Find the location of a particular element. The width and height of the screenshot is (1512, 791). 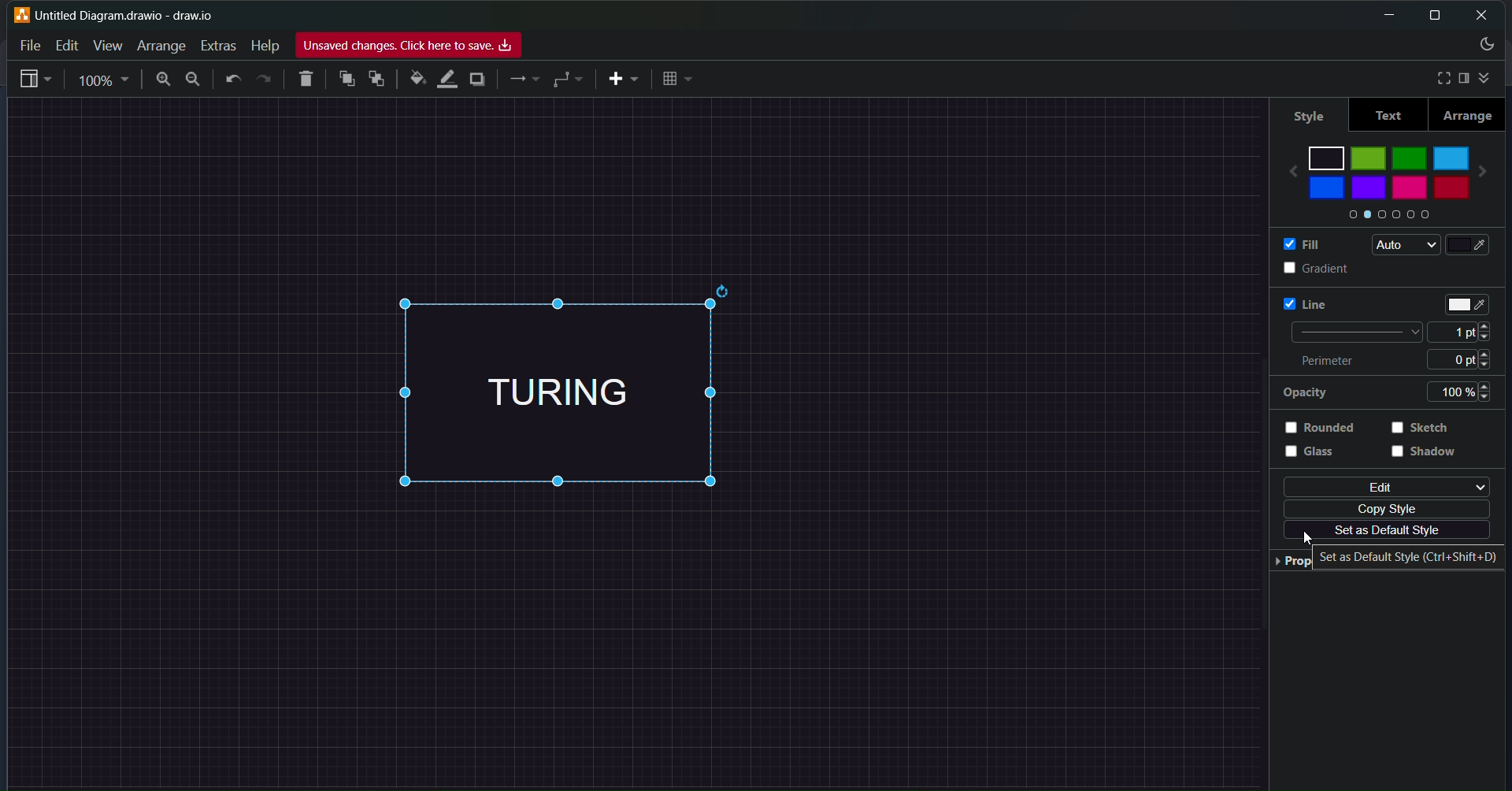

glass is located at coordinates (1320, 458).